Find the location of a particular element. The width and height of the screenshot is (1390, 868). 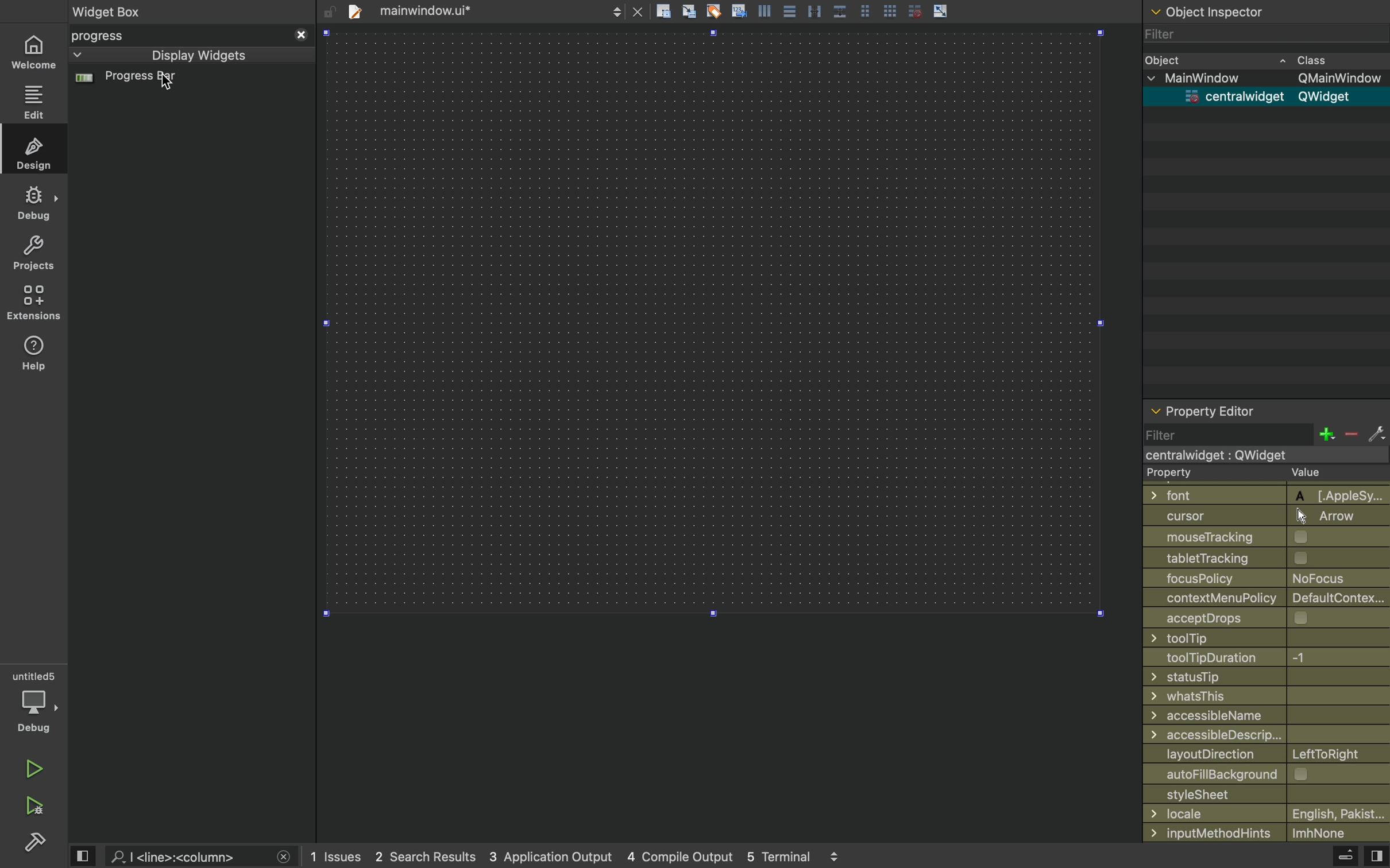

edit is located at coordinates (36, 152).